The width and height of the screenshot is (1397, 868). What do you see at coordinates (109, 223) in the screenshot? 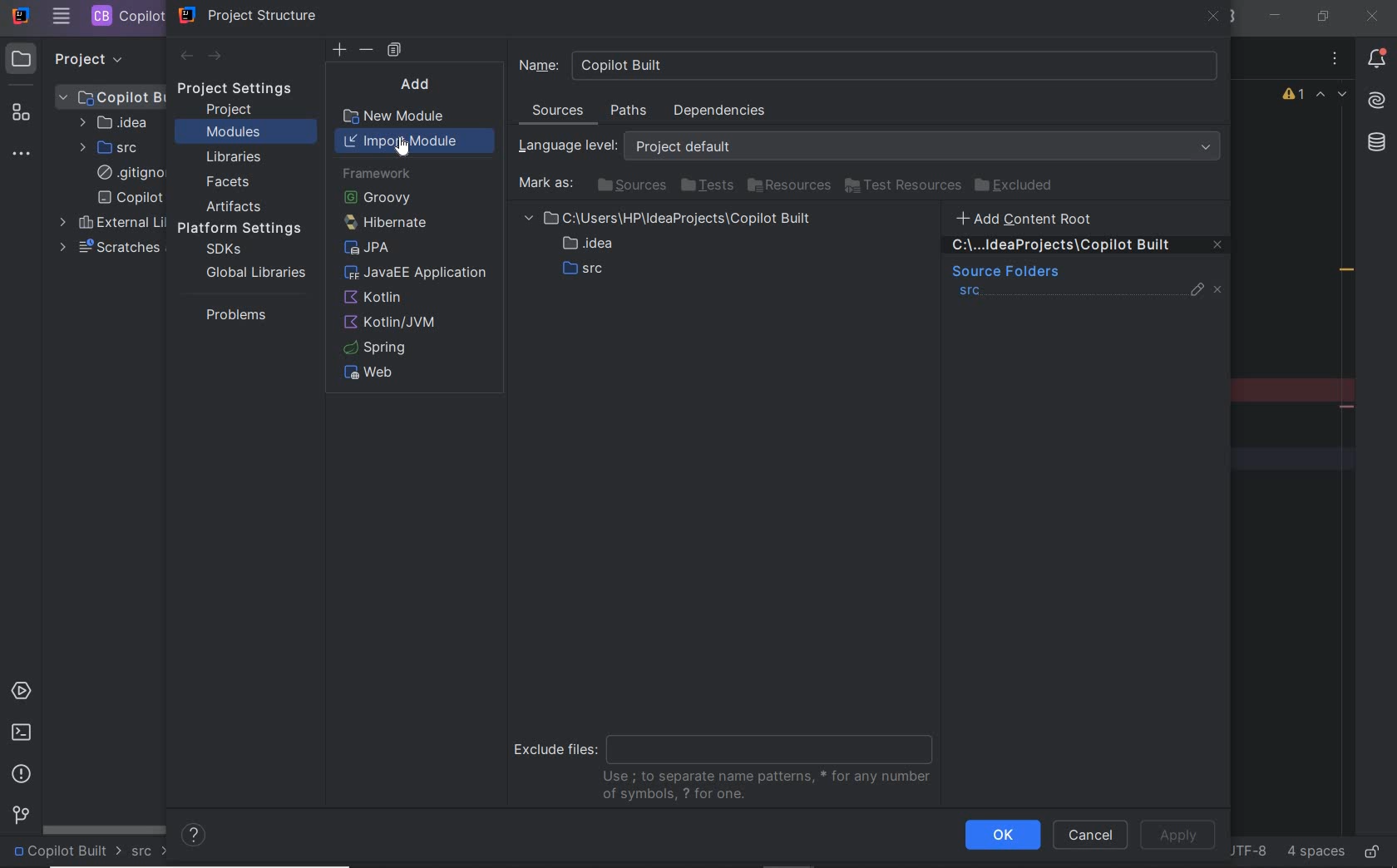
I see `external libraries` at bounding box center [109, 223].